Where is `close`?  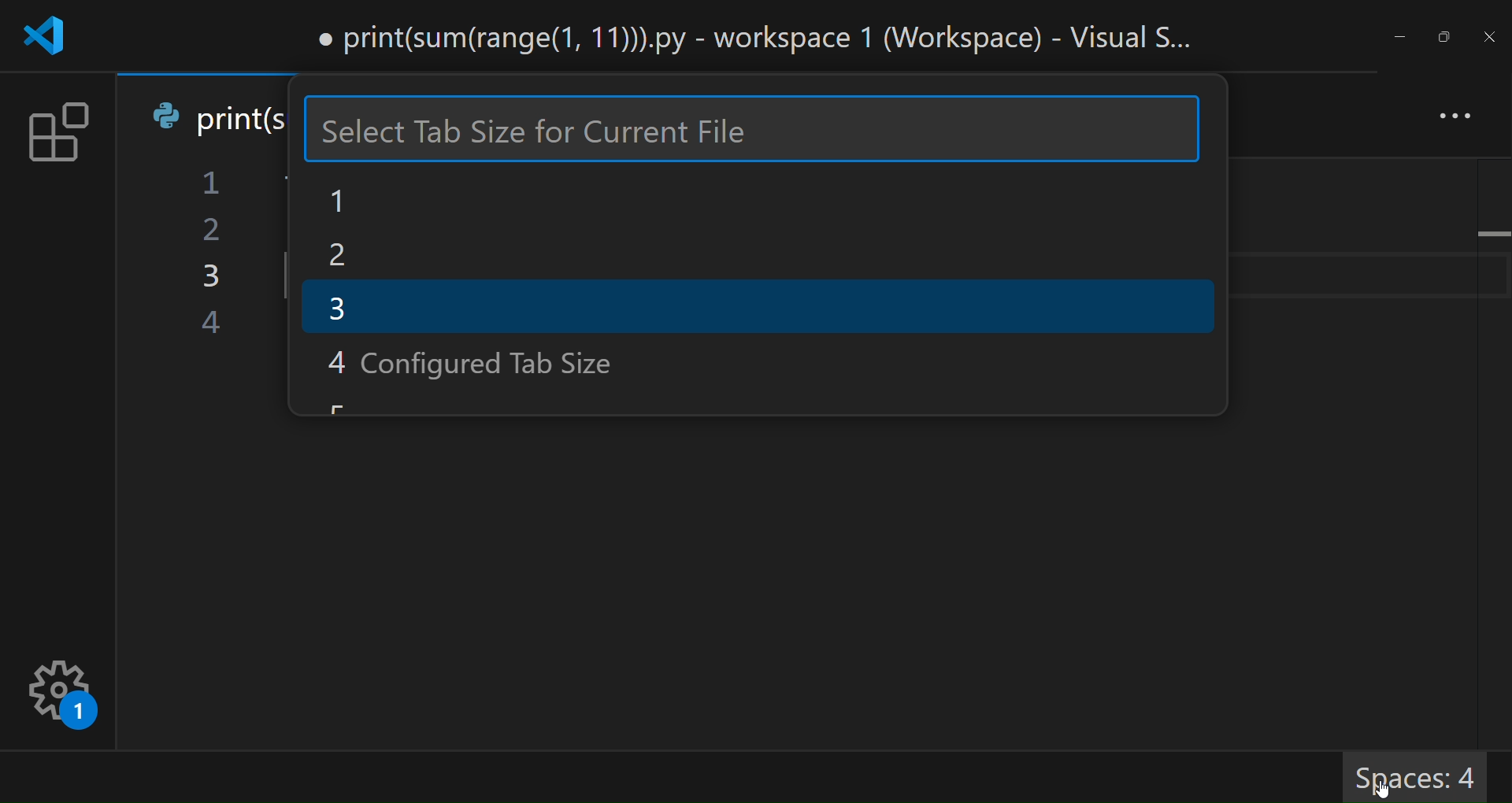
close is located at coordinates (1491, 36).